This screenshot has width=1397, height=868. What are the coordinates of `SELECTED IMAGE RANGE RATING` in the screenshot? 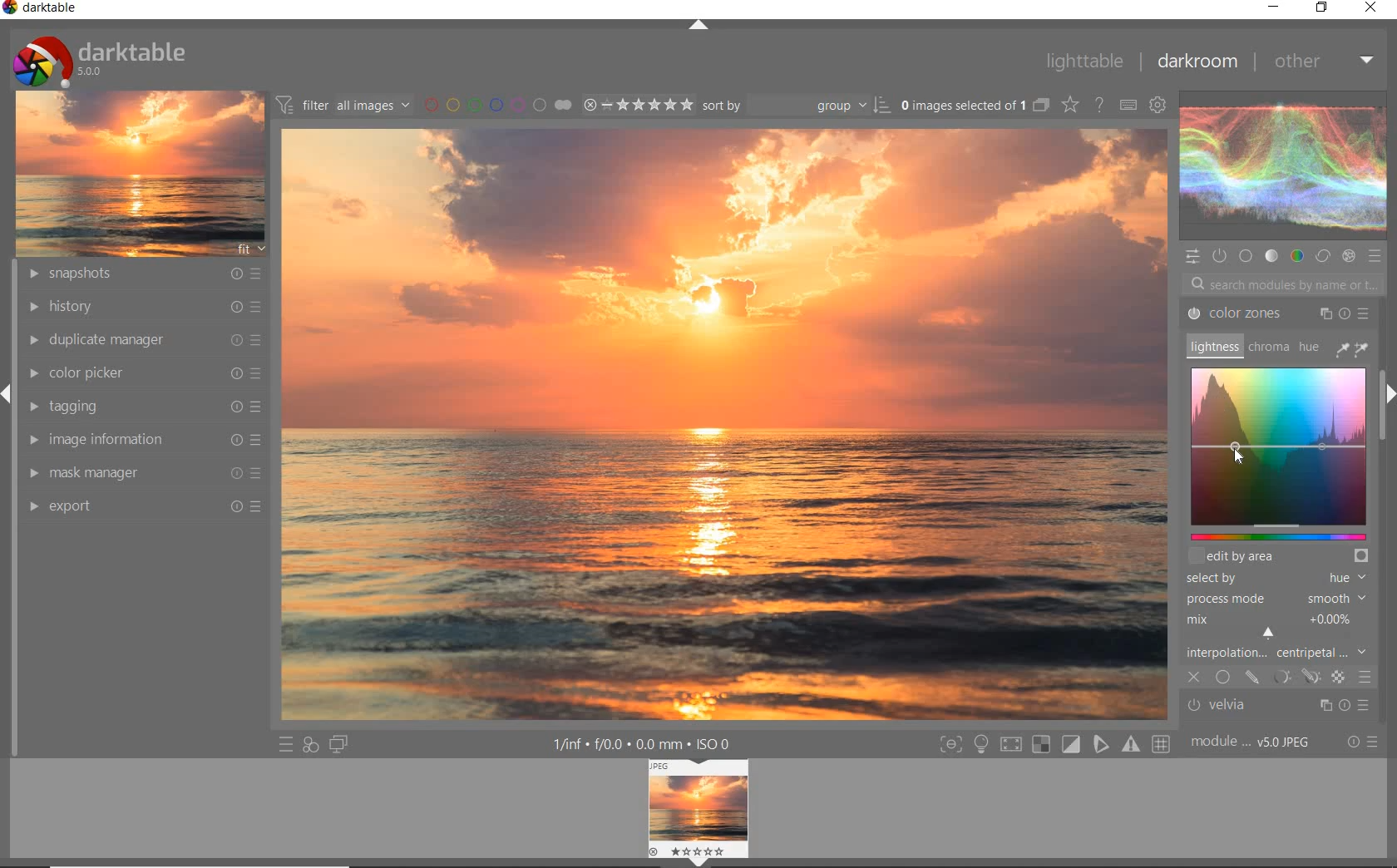 It's located at (639, 104).